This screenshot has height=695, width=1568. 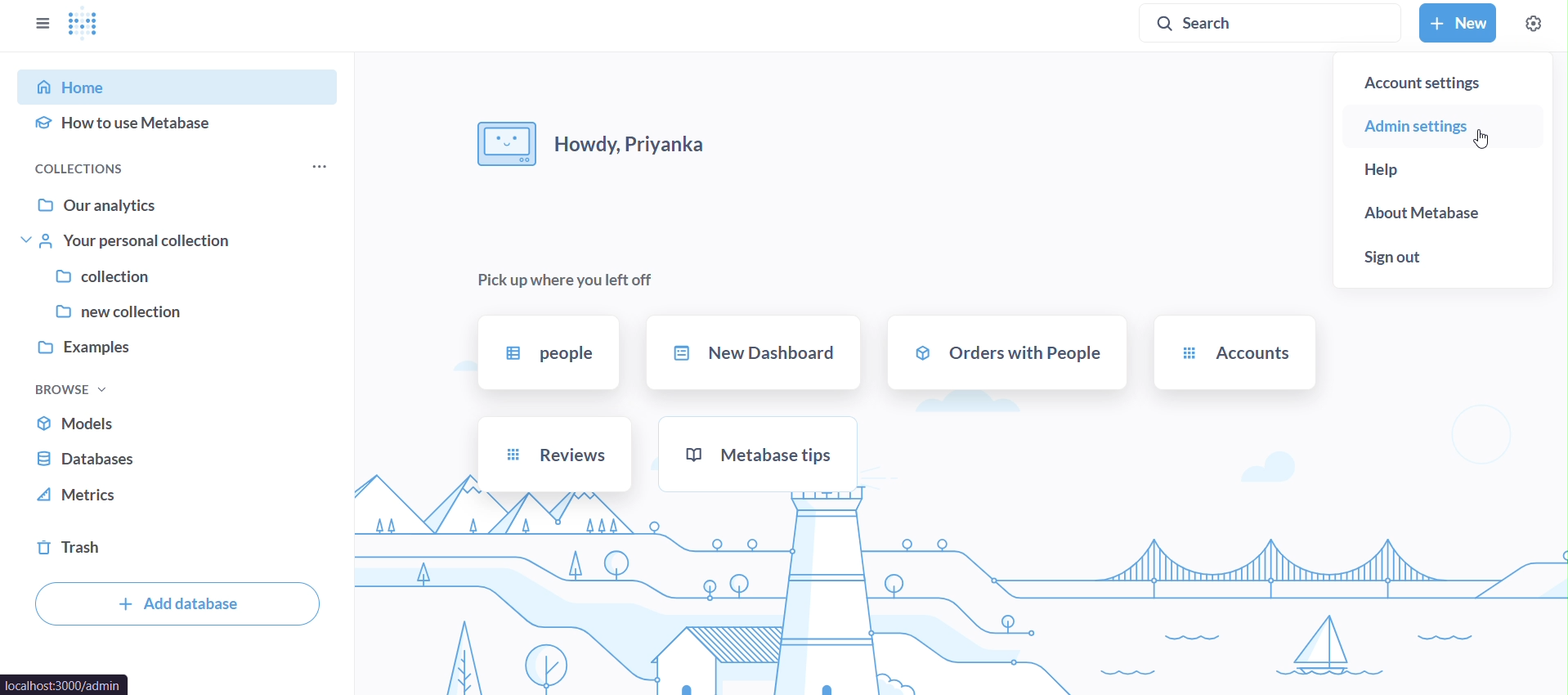 I want to click on logo, so click(x=89, y=25).